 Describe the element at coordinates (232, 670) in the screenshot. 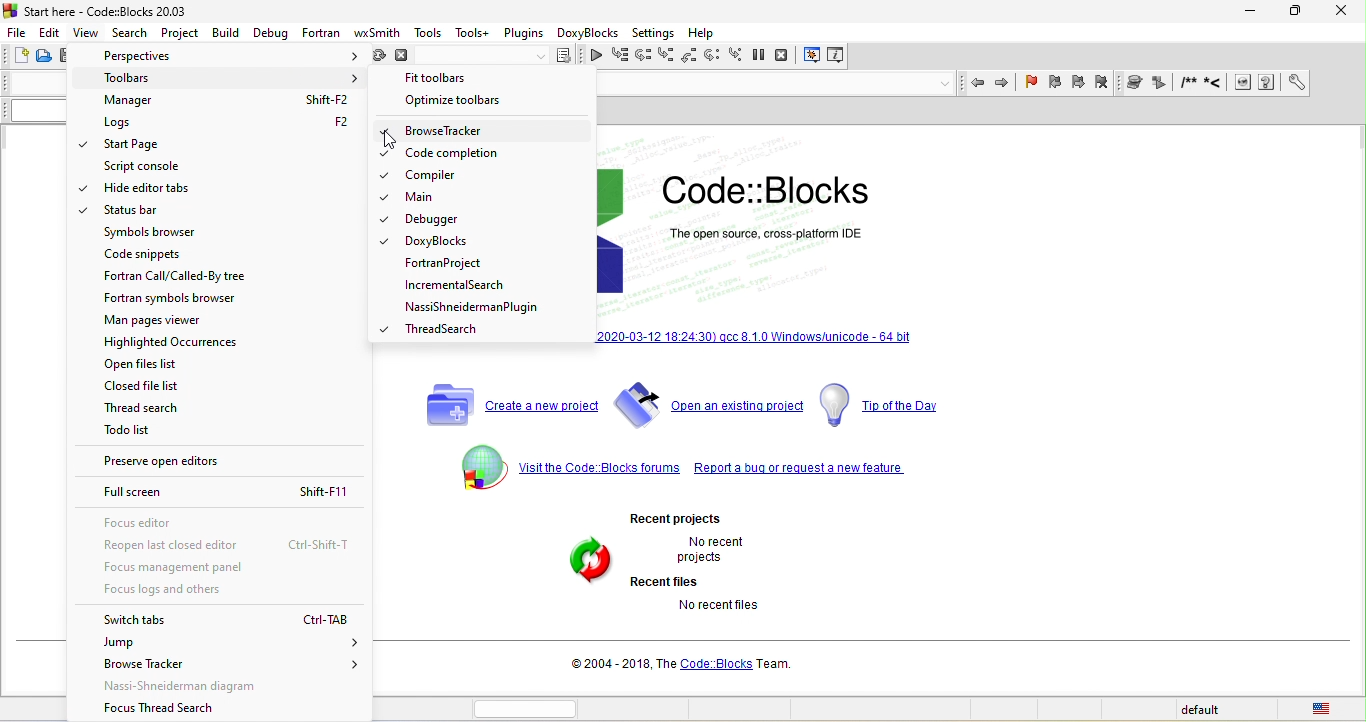

I see `browse tracker` at that location.